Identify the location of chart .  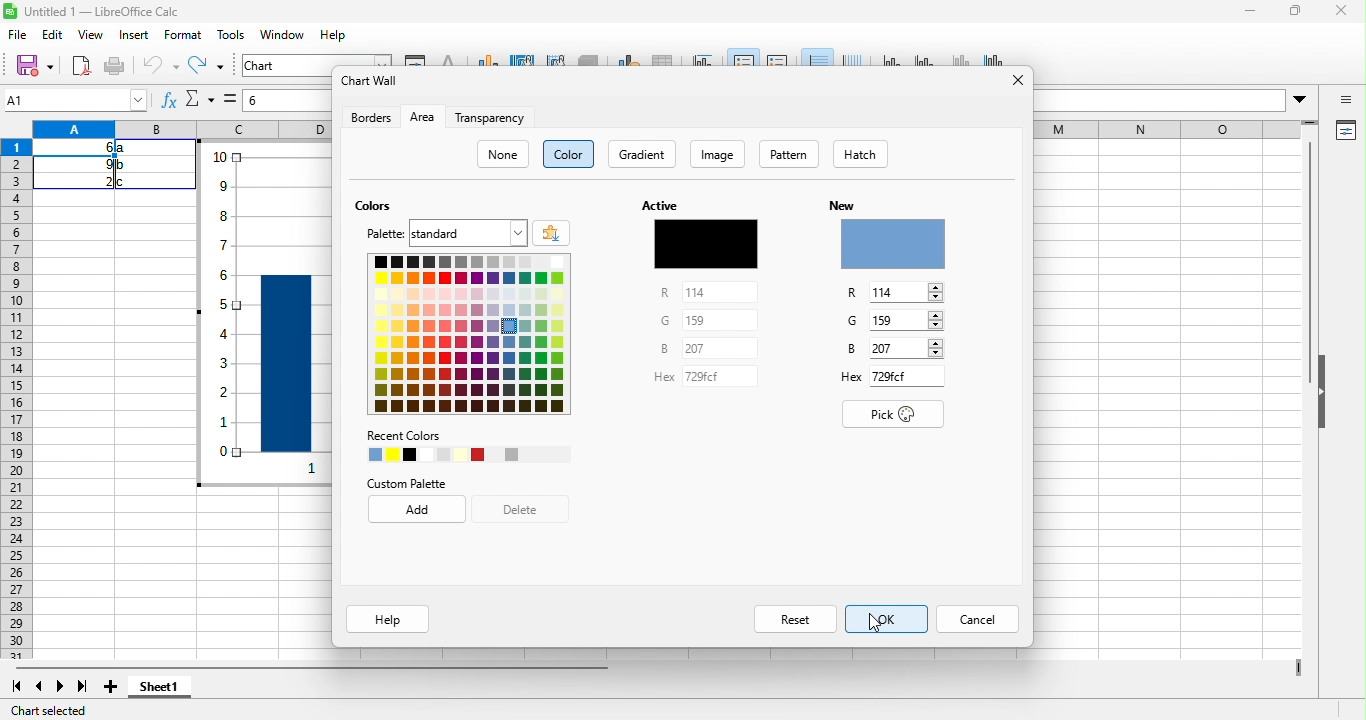
(283, 65).